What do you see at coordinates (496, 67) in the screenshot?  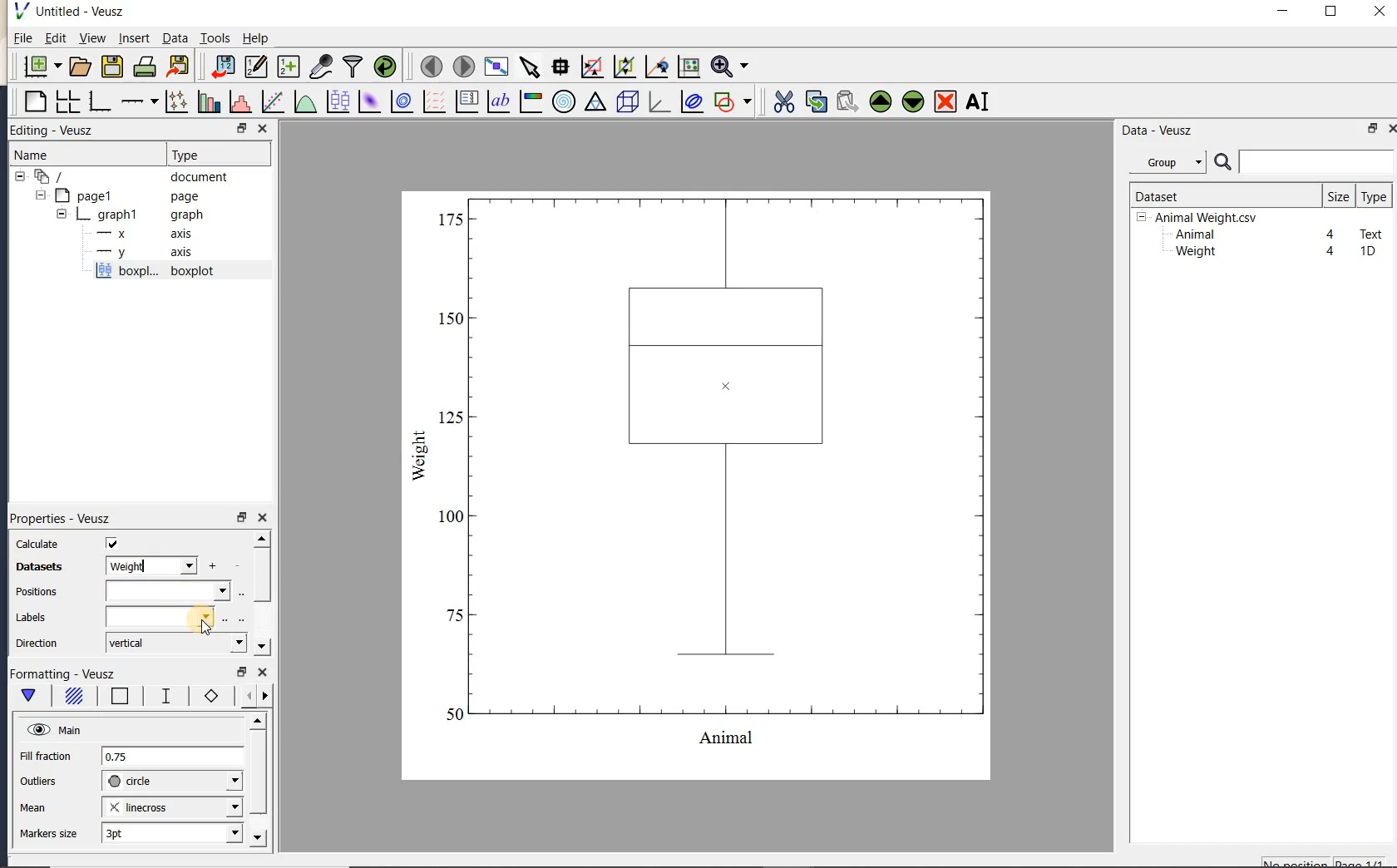 I see `view plot full screen` at bounding box center [496, 67].